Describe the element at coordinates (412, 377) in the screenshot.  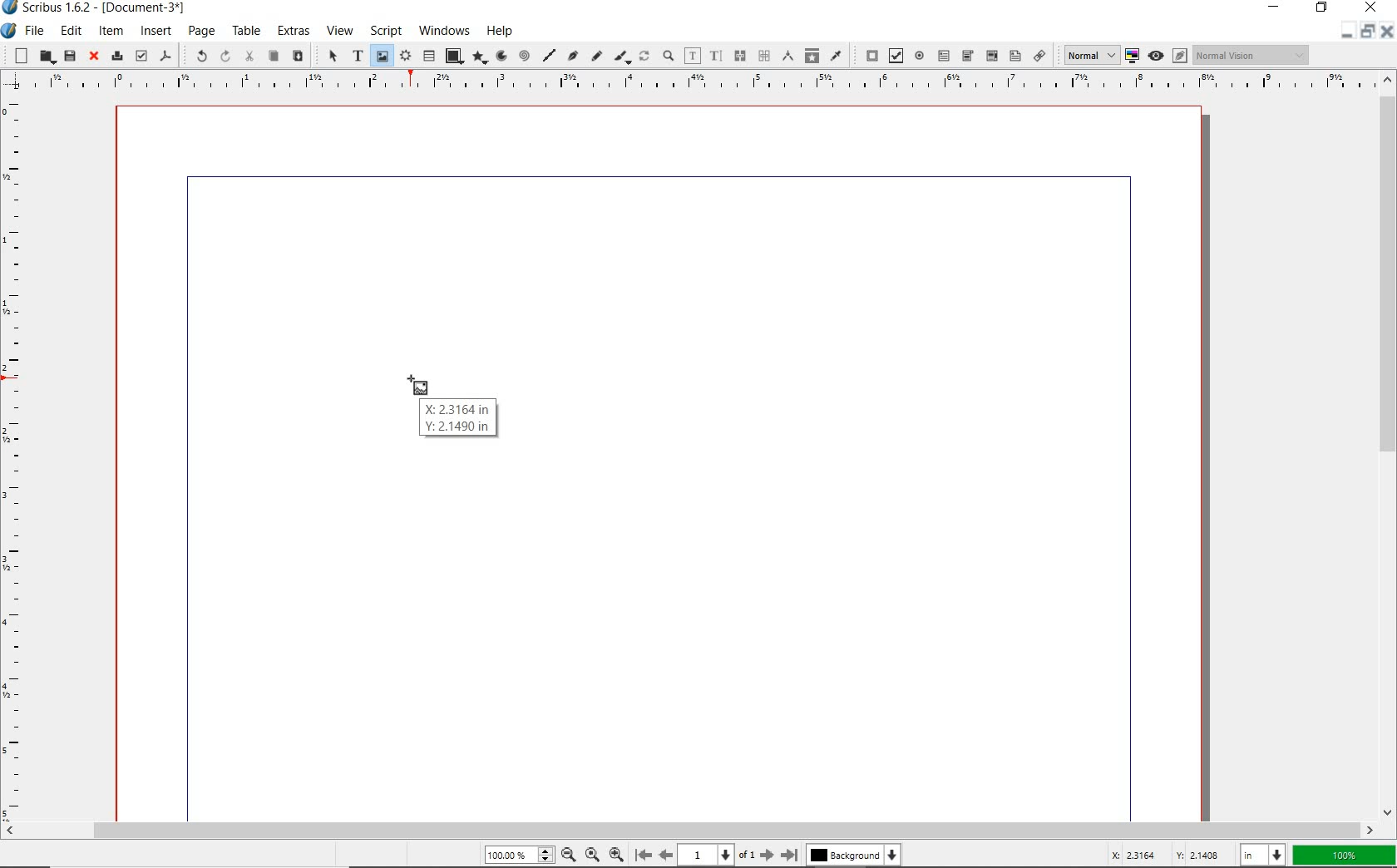
I see `TEXT FRAME TOOL` at that location.